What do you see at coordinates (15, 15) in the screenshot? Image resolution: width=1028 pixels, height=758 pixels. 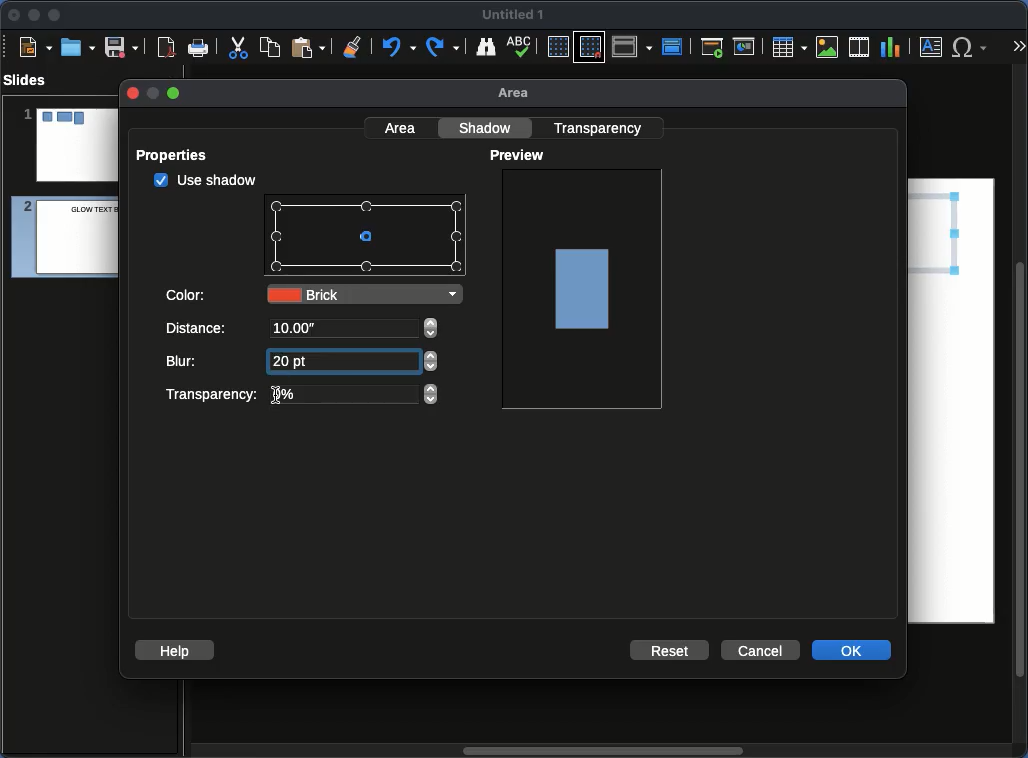 I see `Close` at bounding box center [15, 15].